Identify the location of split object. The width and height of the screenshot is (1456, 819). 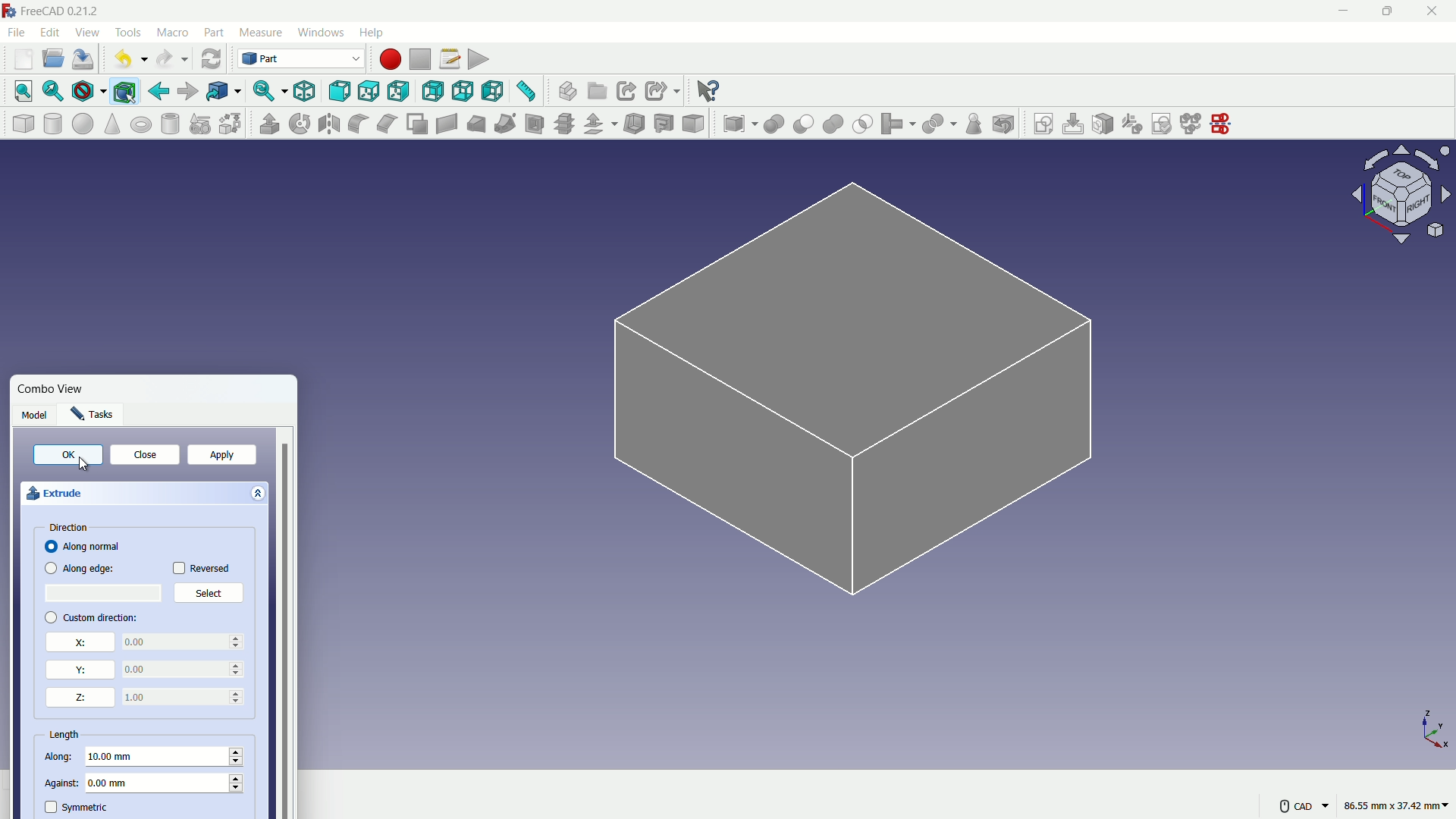
(940, 122).